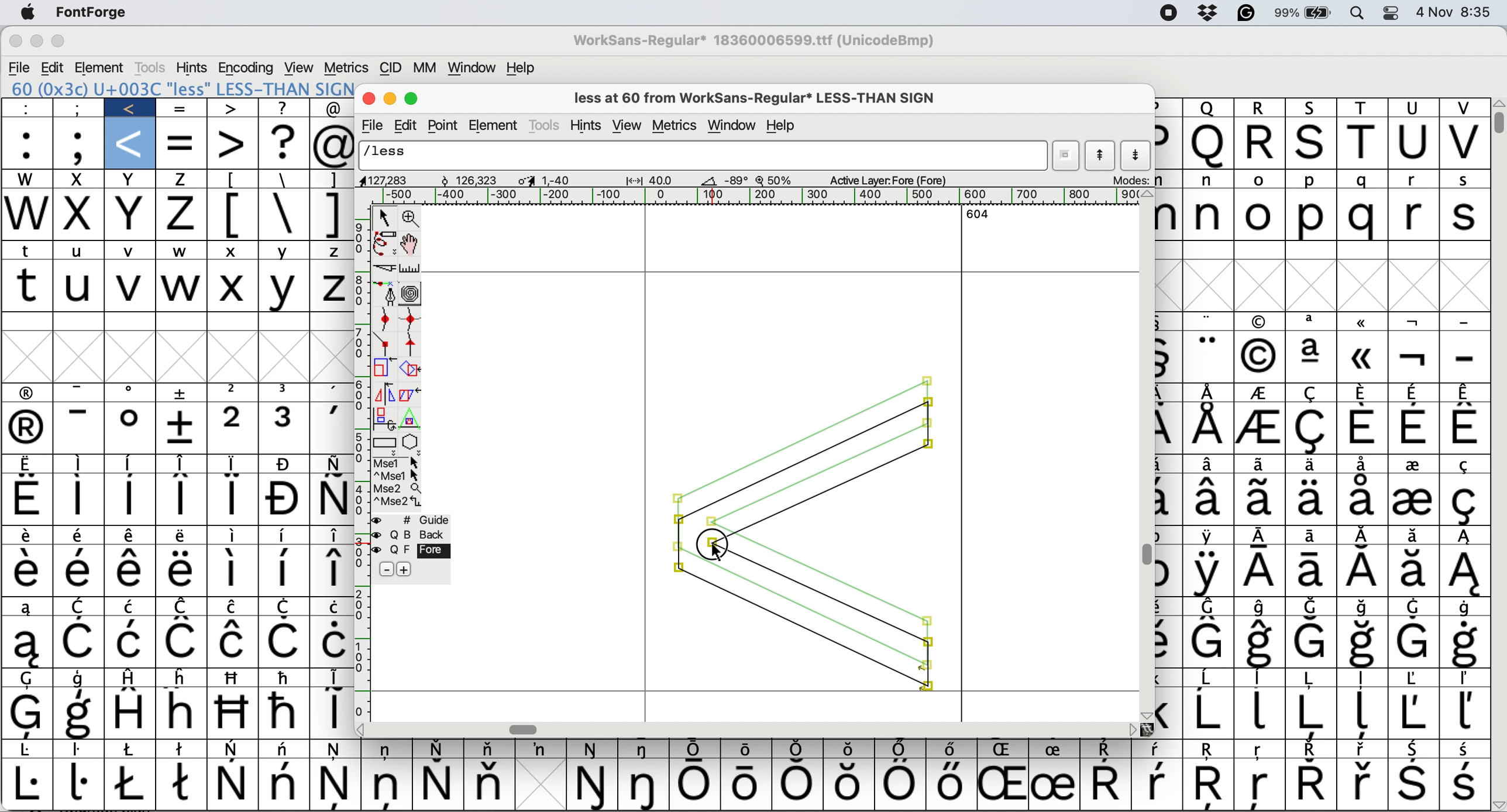 This screenshot has width=1507, height=812. What do you see at coordinates (594, 749) in the screenshot?
I see `Symbol` at bounding box center [594, 749].